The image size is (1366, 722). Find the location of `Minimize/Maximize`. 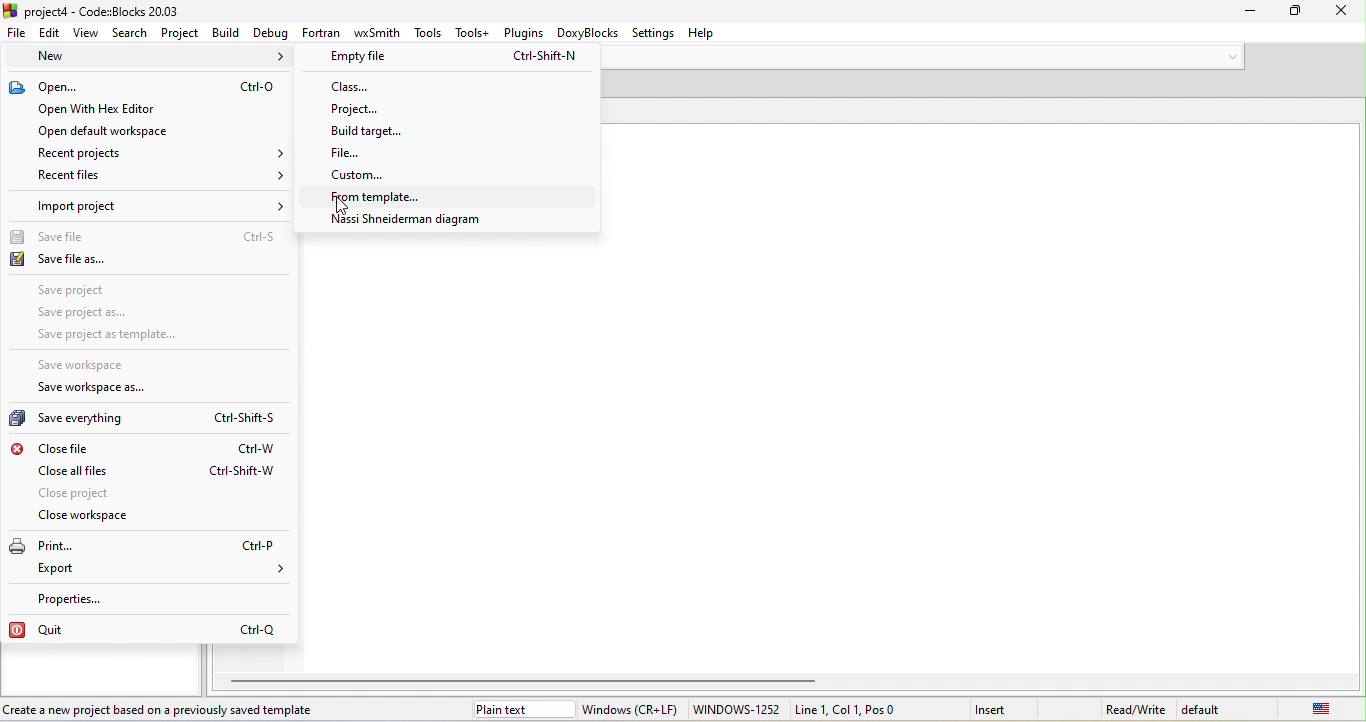

Minimize/Maximize is located at coordinates (1287, 12).